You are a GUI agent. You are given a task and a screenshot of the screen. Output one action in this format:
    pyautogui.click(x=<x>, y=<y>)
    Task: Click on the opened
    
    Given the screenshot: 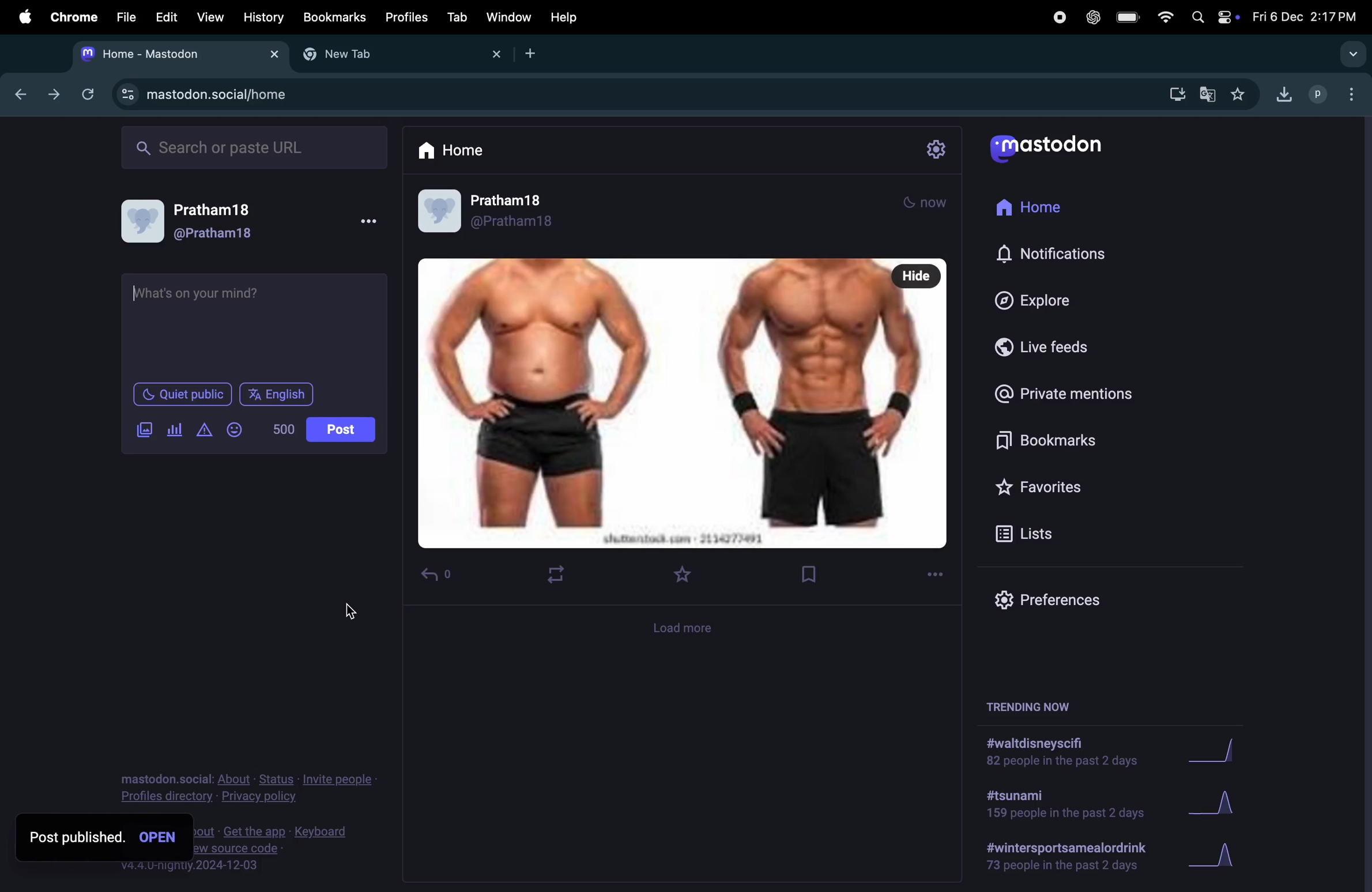 What is the action you would take?
    pyautogui.click(x=161, y=837)
    